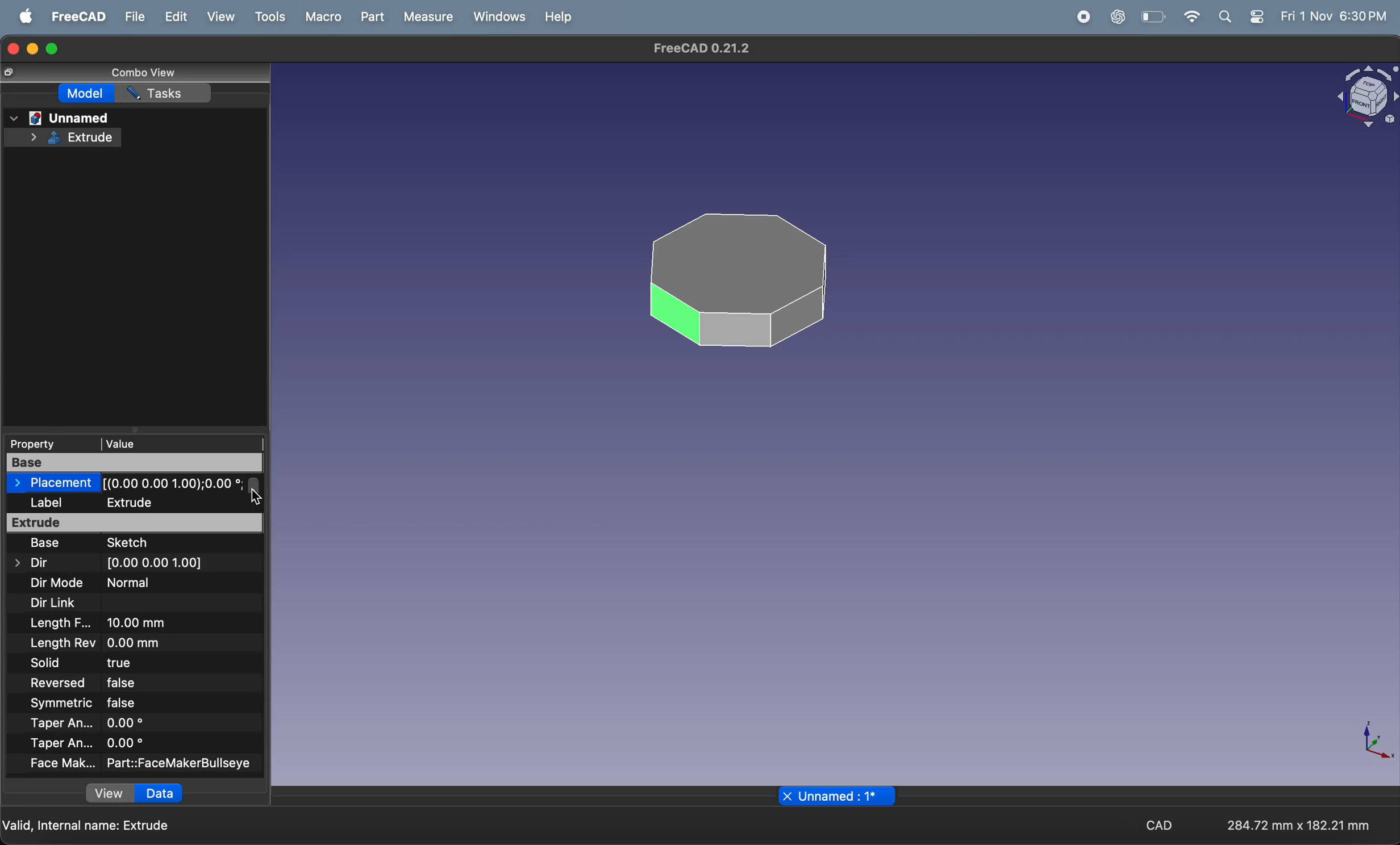  Describe the element at coordinates (126, 684) in the screenshot. I see `Reversed false` at that location.